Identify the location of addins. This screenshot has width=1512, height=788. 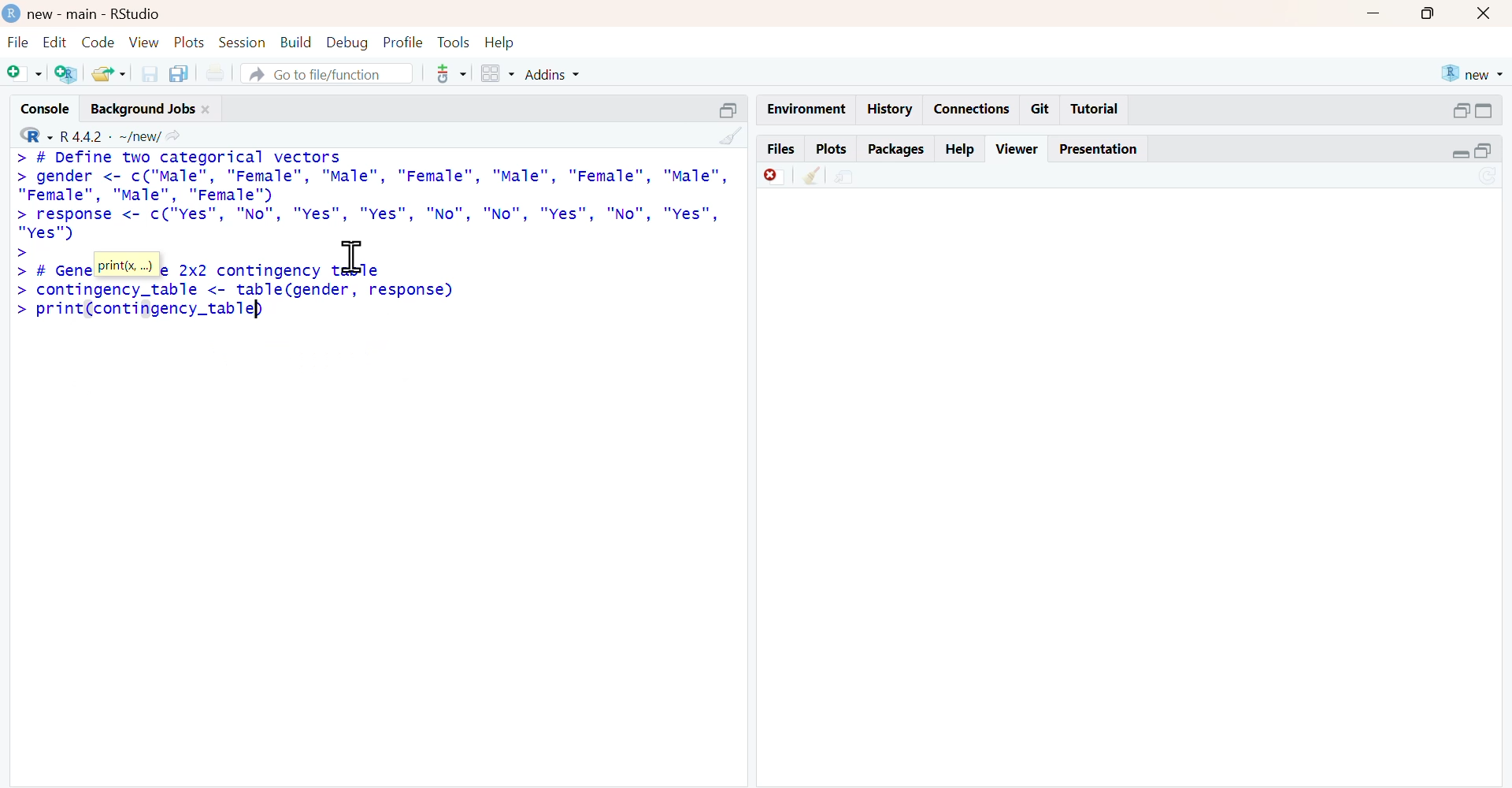
(552, 75).